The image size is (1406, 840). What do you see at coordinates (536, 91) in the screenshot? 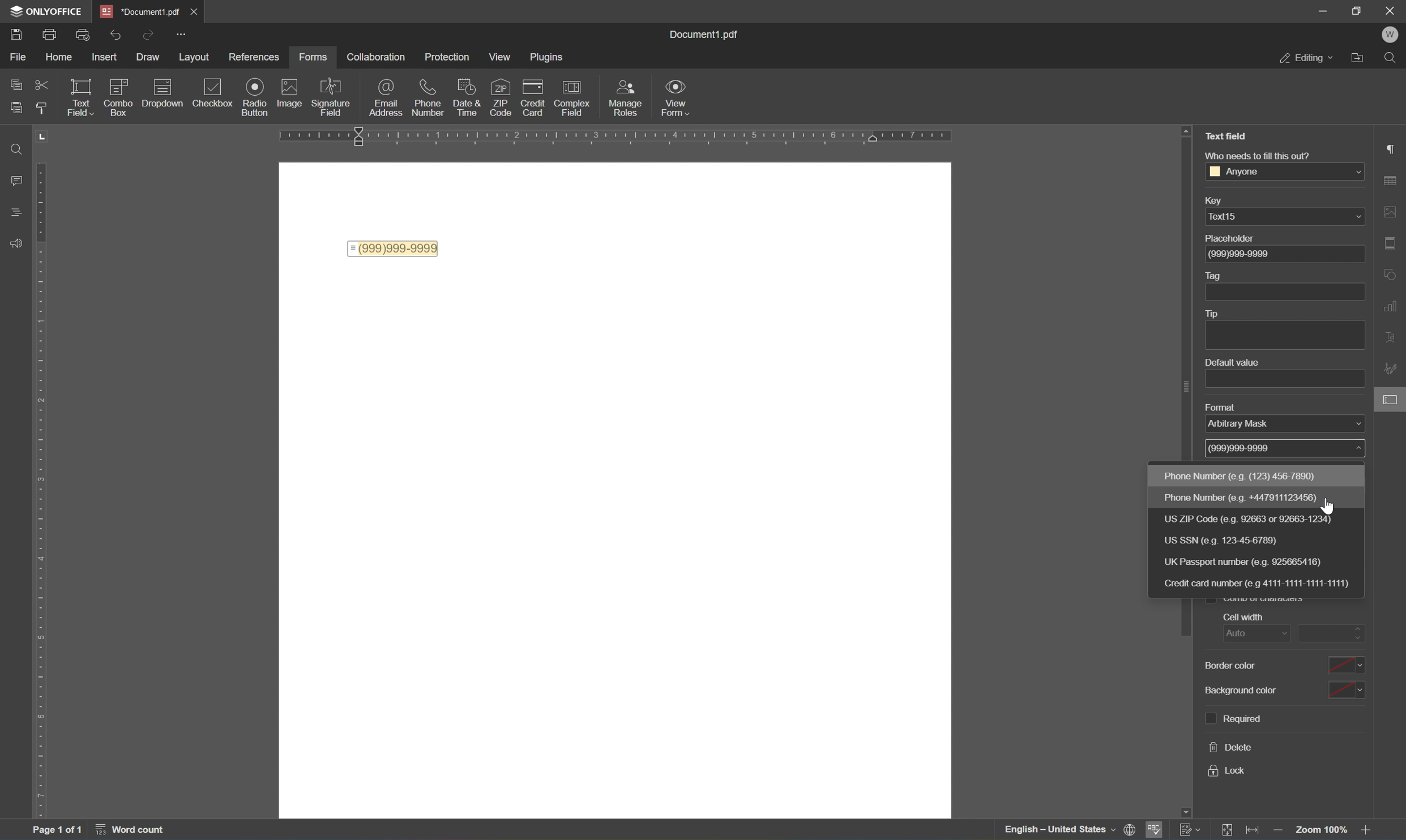
I see `icon` at bounding box center [536, 91].